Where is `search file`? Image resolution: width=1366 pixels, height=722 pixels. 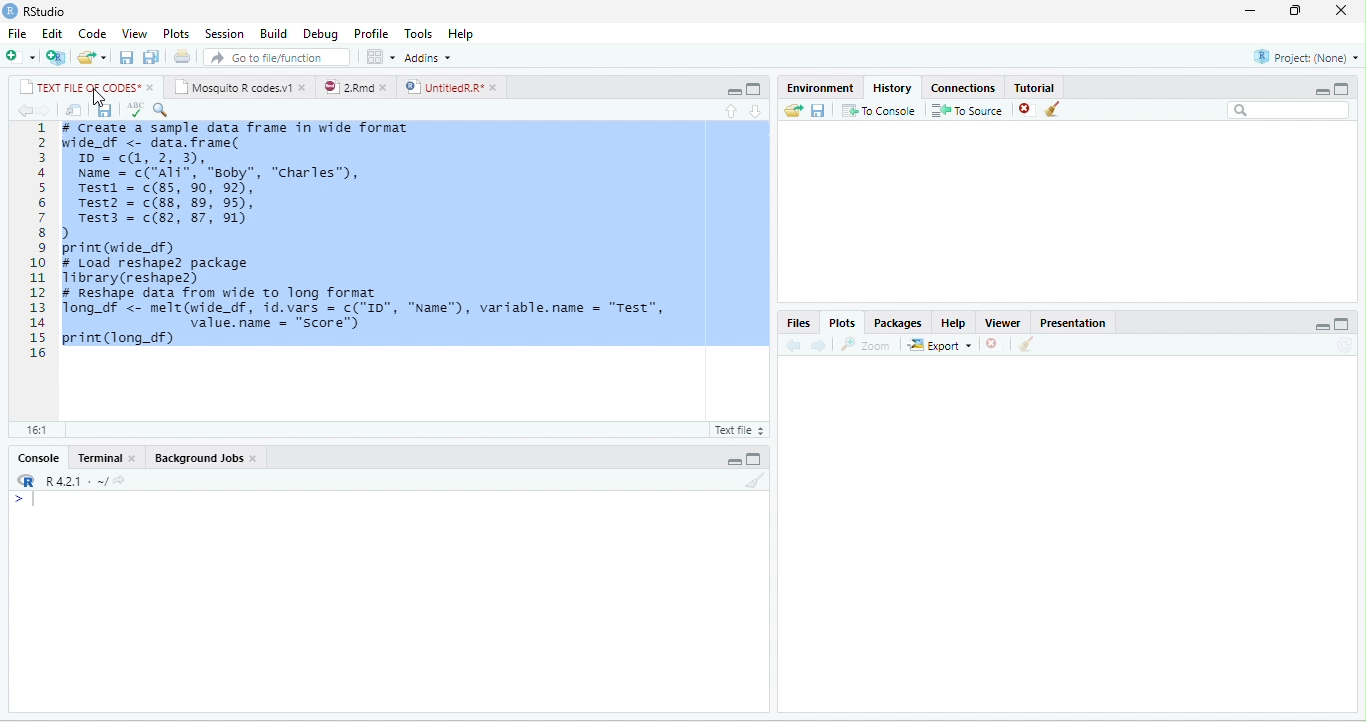 search file is located at coordinates (276, 57).